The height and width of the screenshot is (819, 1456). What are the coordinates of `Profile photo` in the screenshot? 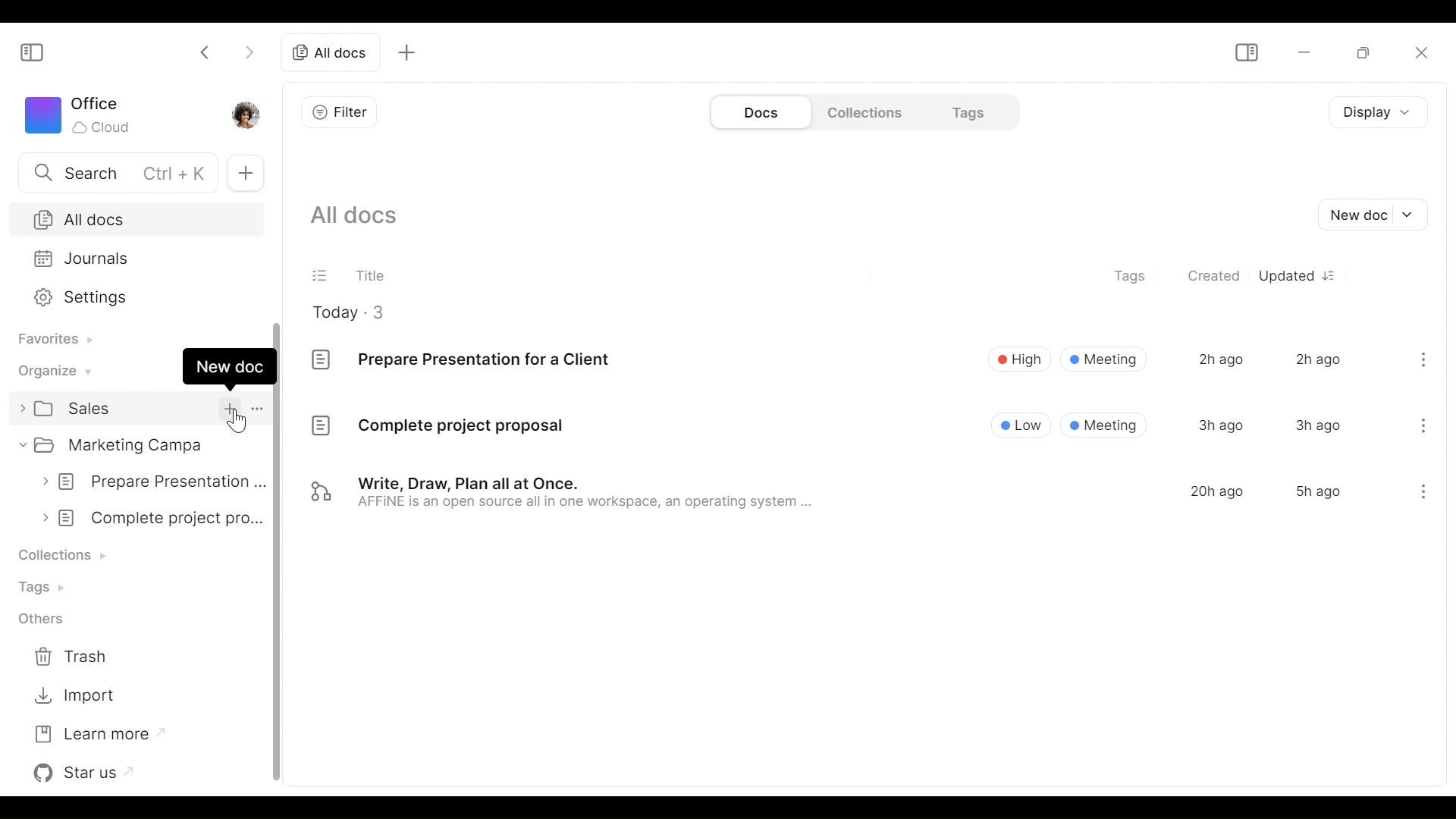 It's located at (251, 114).